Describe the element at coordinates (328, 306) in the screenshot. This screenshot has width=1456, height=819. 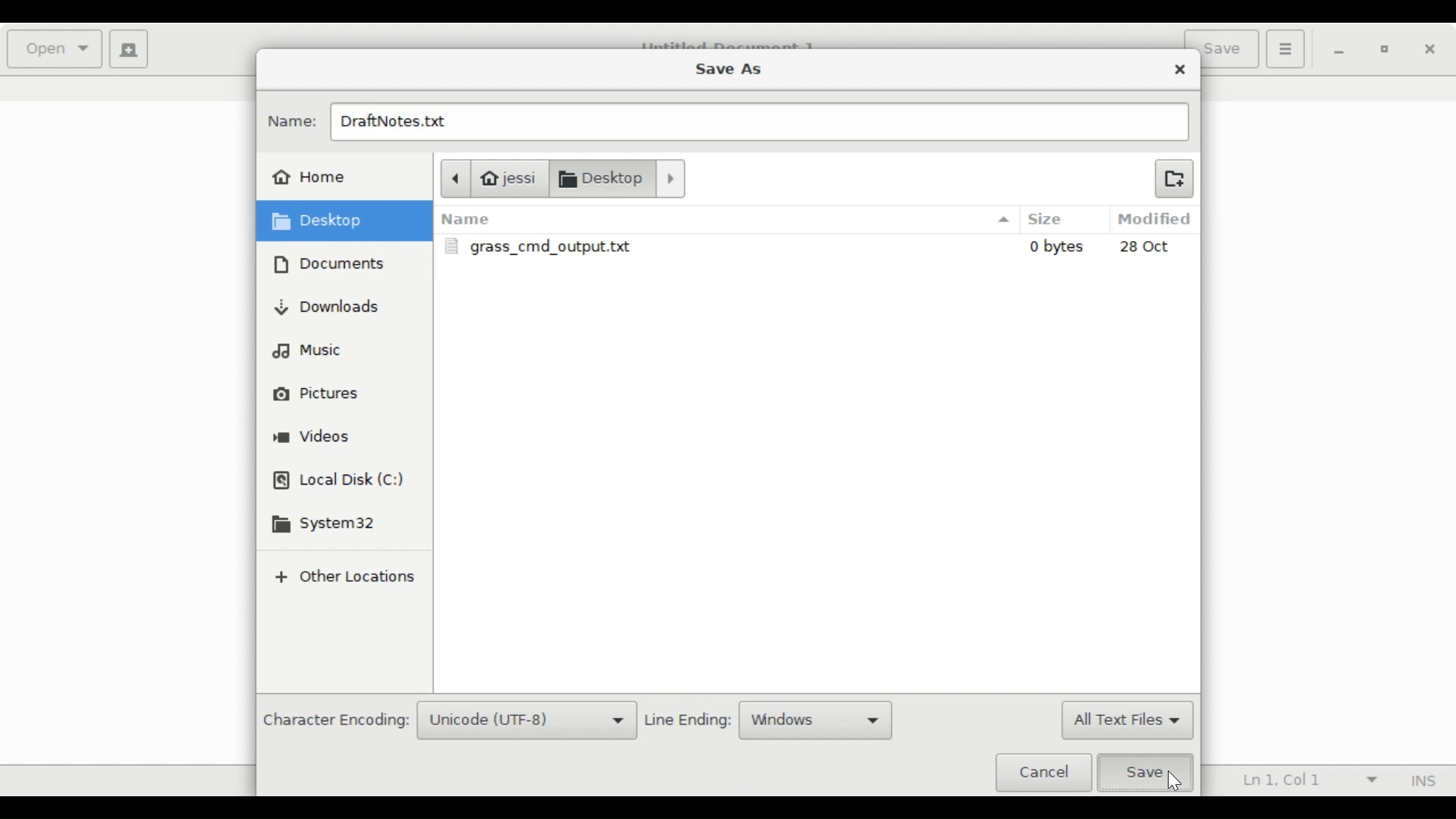
I see `Downloads` at that location.